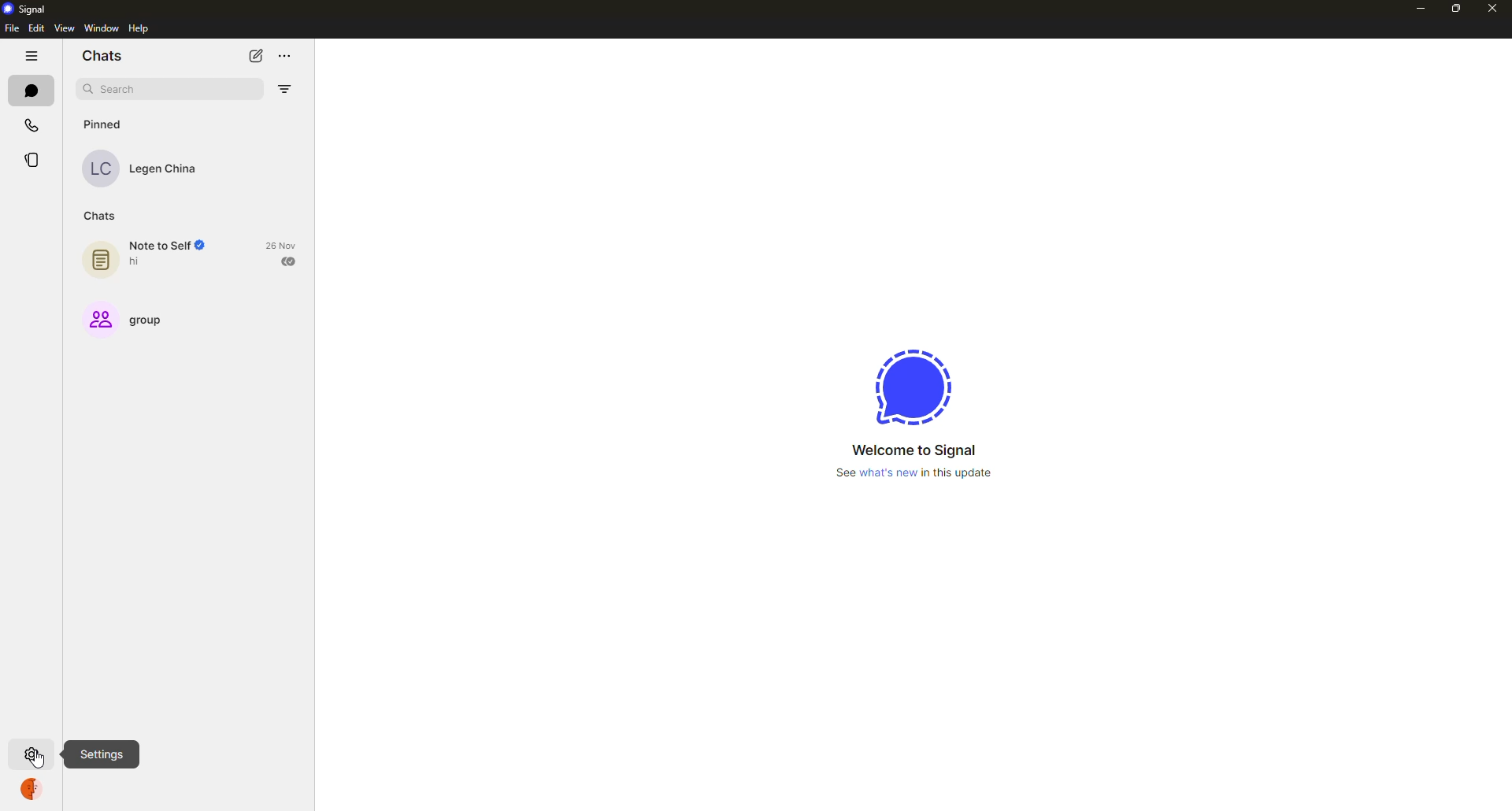 Image resolution: width=1512 pixels, height=811 pixels. What do you see at coordinates (31, 56) in the screenshot?
I see `hide tabs` at bounding box center [31, 56].